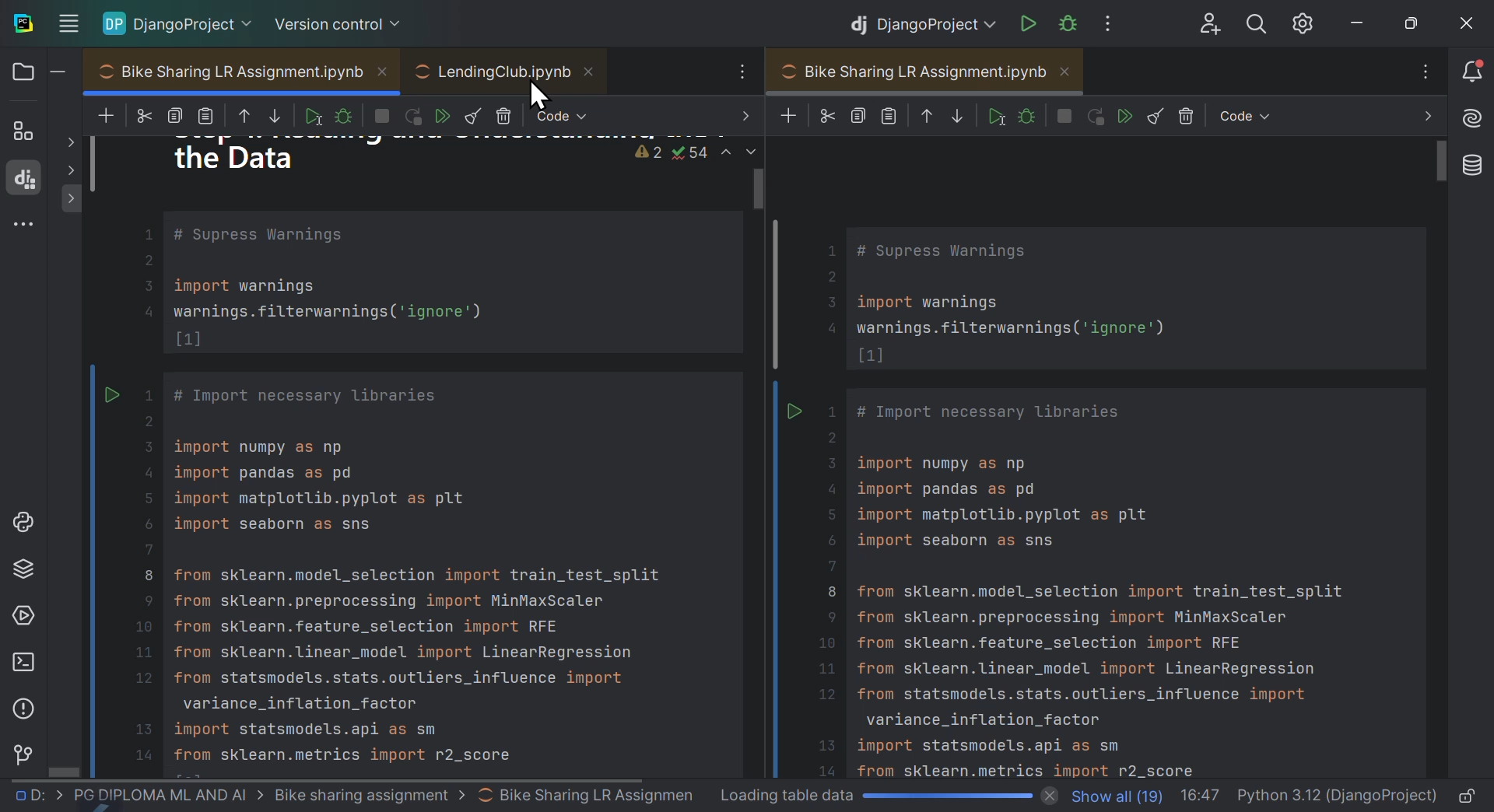 The height and width of the screenshot is (812, 1494). Describe the element at coordinates (1113, 793) in the screenshot. I see `show files` at that location.